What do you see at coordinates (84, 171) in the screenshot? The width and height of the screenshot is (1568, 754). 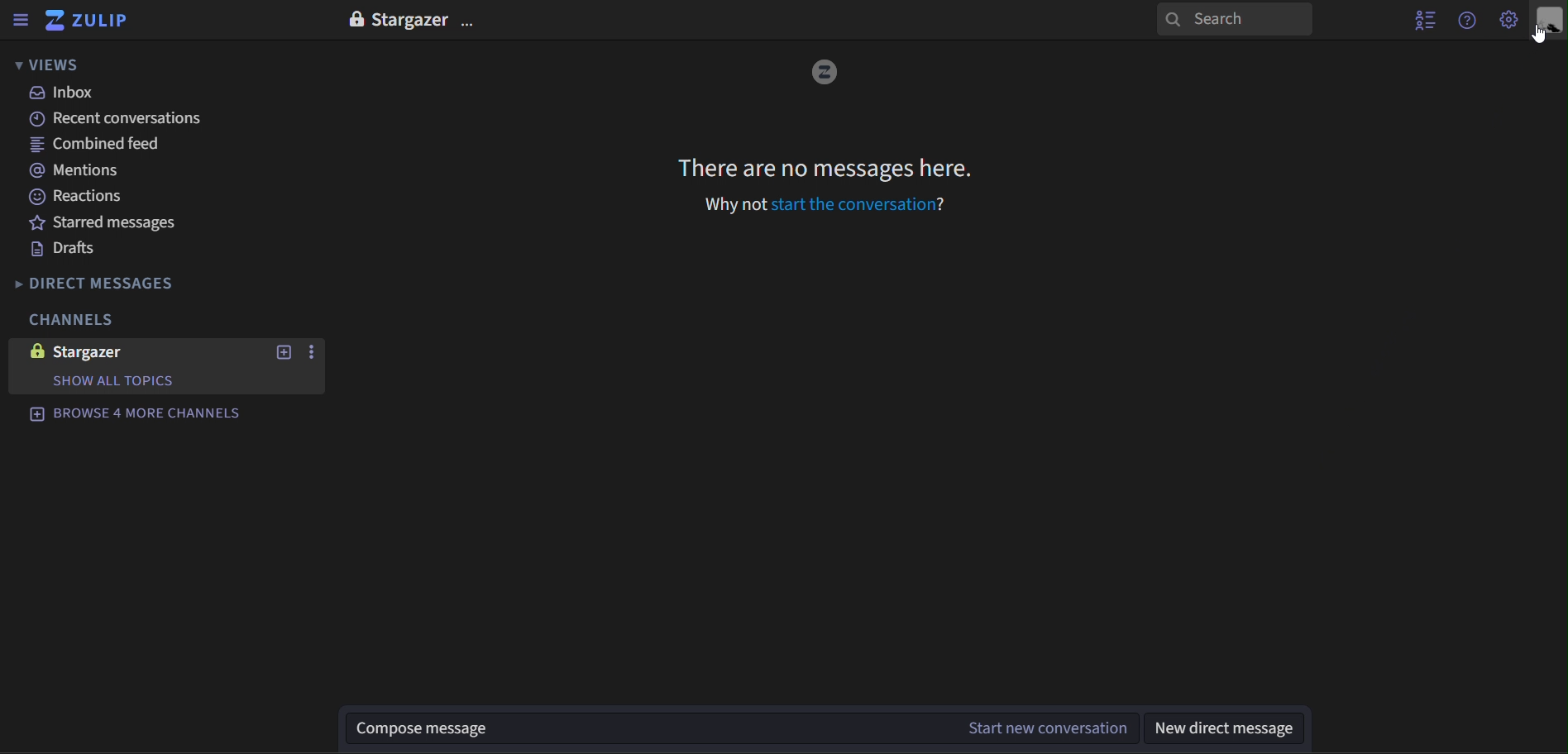 I see `mentions` at bounding box center [84, 171].